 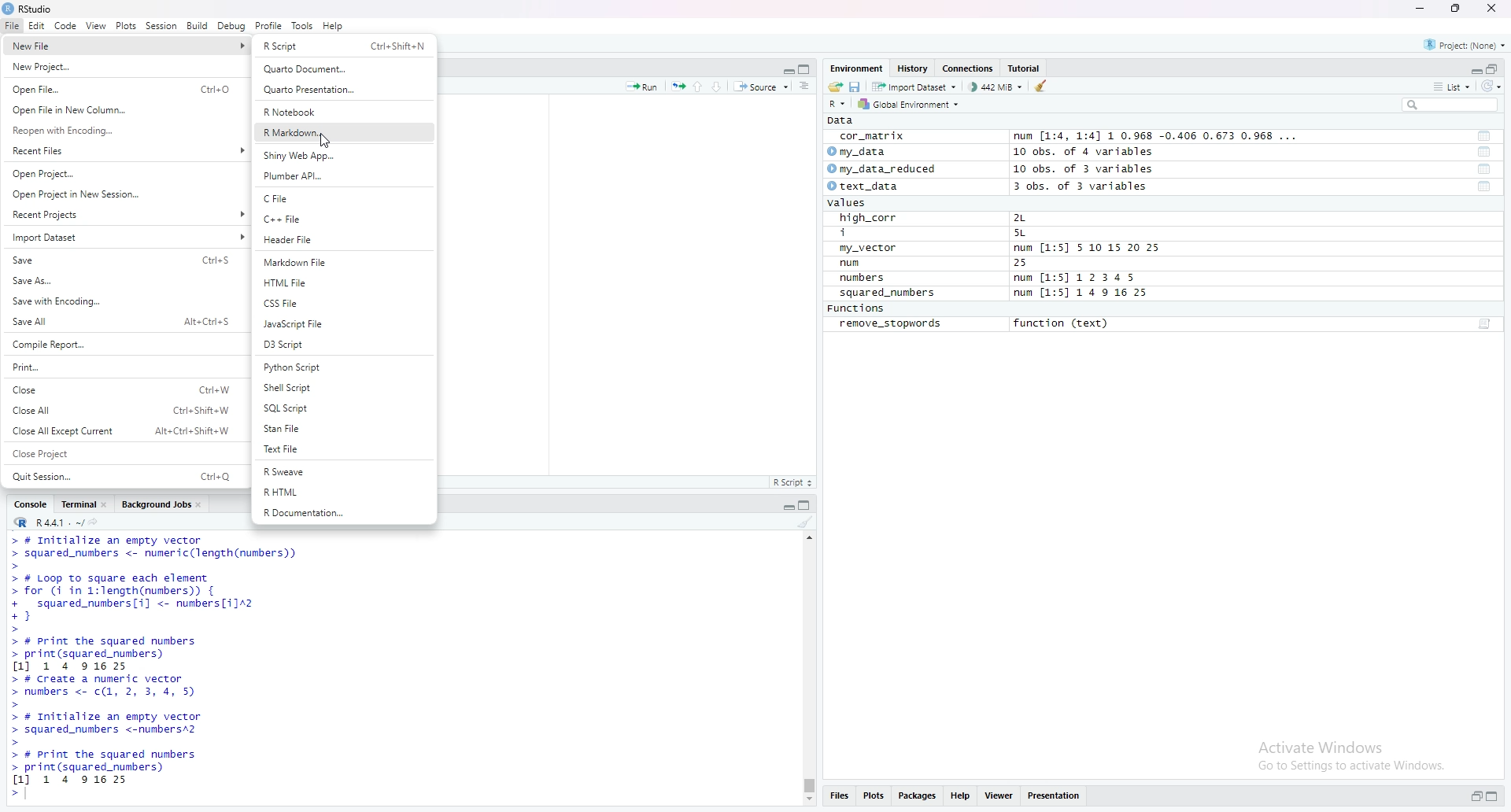 I want to click on Scrollbar up, so click(x=807, y=537).